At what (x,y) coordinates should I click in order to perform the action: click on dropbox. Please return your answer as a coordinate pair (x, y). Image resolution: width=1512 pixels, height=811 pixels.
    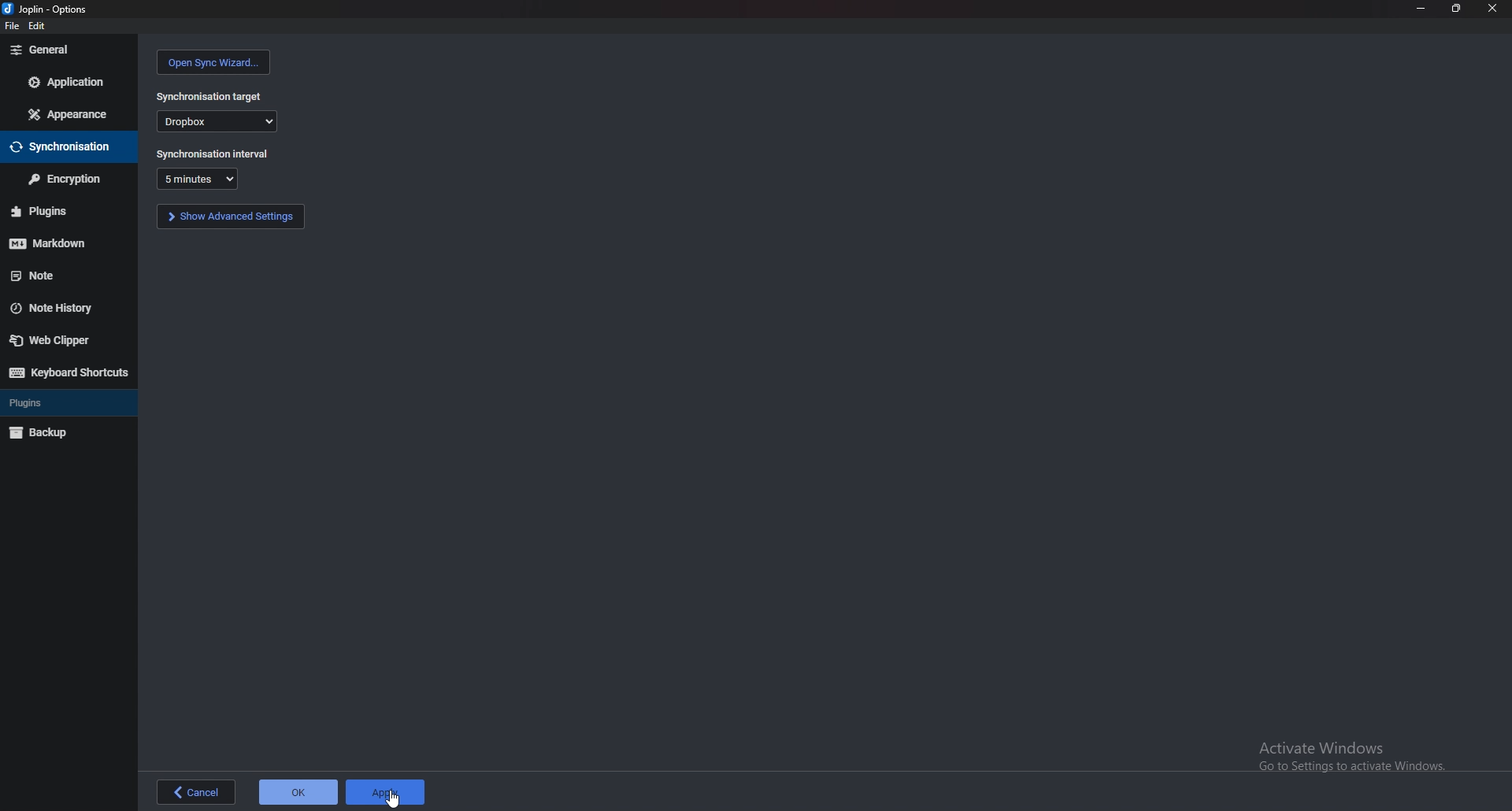
    Looking at the image, I should click on (217, 121).